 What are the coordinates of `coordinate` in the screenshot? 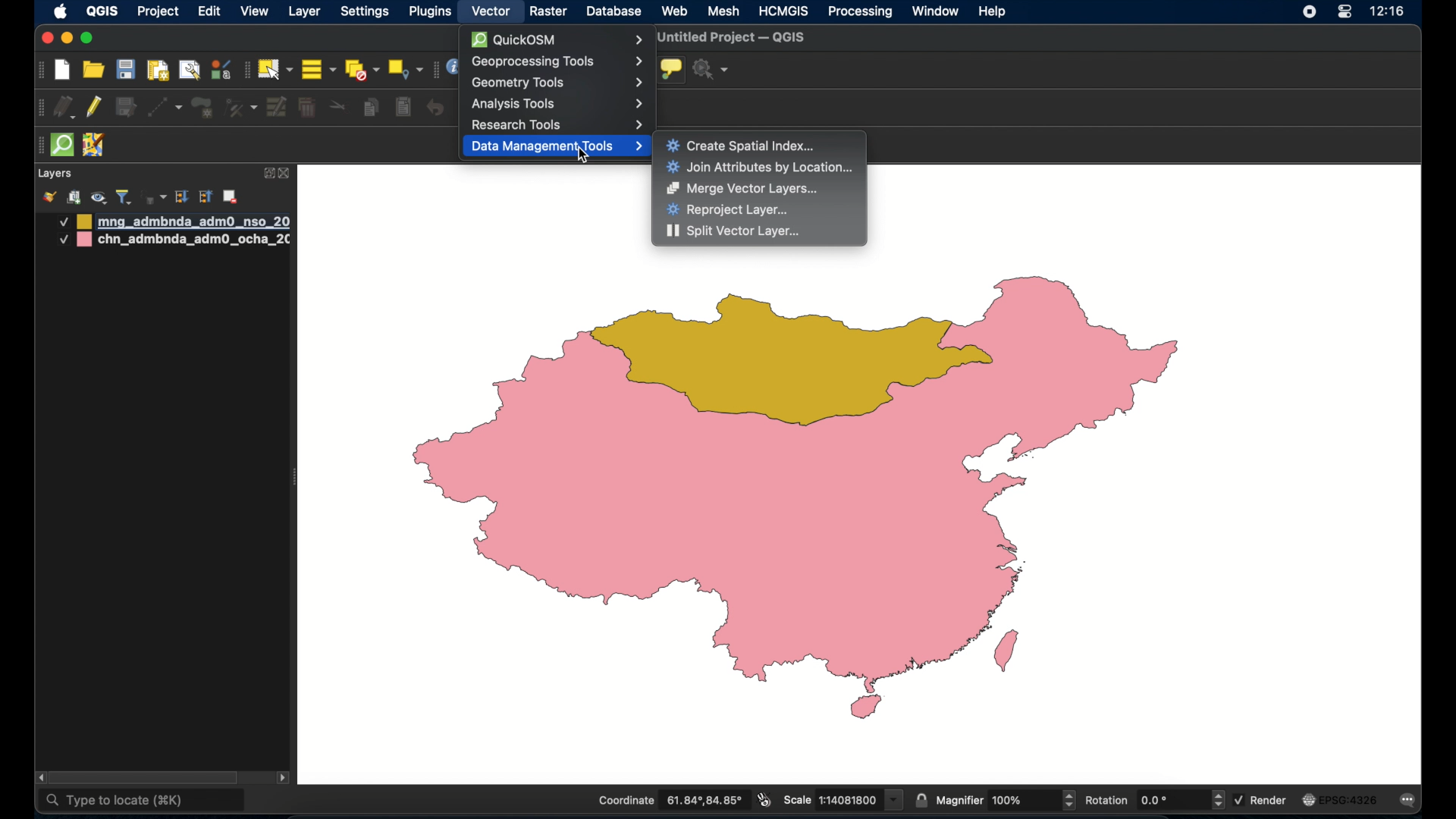 It's located at (670, 801).